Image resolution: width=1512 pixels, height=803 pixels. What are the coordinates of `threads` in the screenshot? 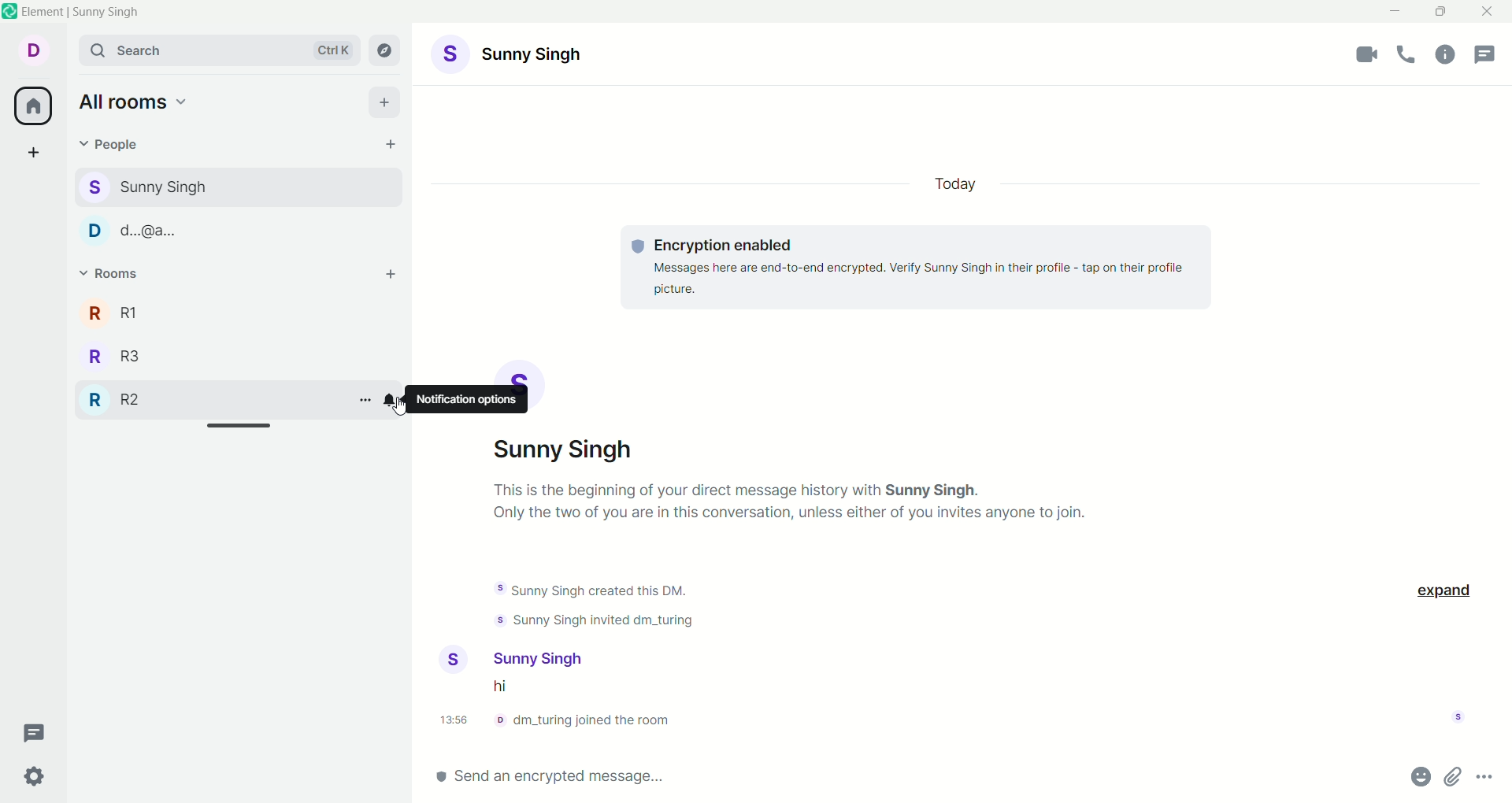 It's located at (41, 730).